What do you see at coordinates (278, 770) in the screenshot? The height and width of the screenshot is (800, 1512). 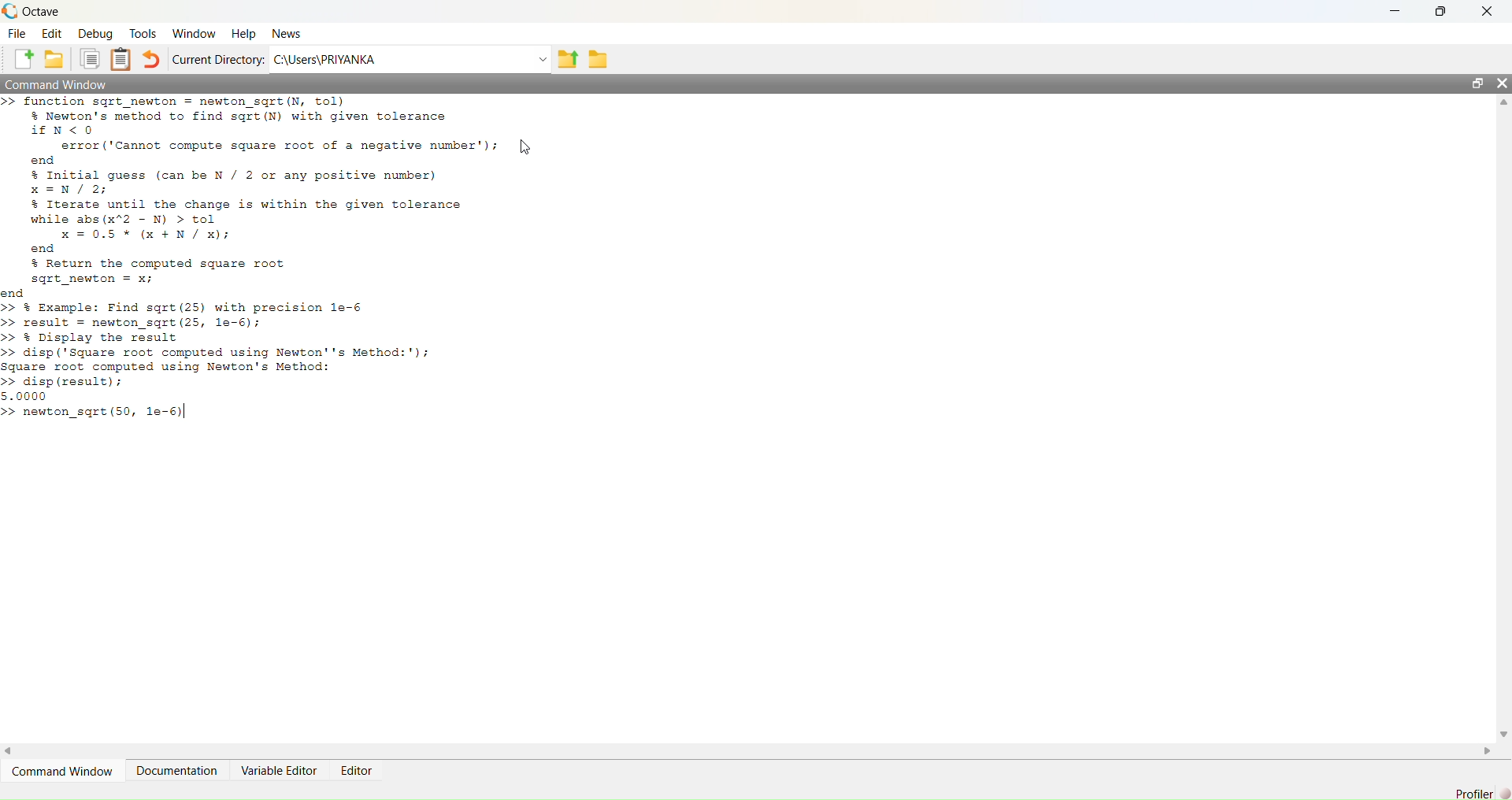 I see `Variable Editor` at bounding box center [278, 770].